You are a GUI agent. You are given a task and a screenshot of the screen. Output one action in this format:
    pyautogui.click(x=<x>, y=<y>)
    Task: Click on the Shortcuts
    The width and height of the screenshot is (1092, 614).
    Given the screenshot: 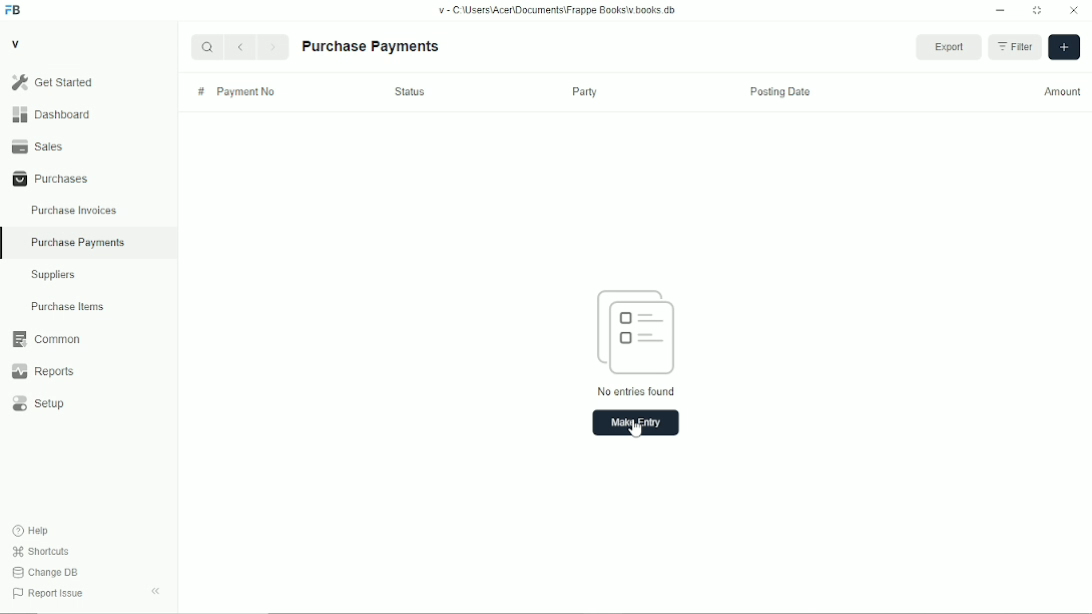 What is the action you would take?
    pyautogui.click(x=41, y=552)
    